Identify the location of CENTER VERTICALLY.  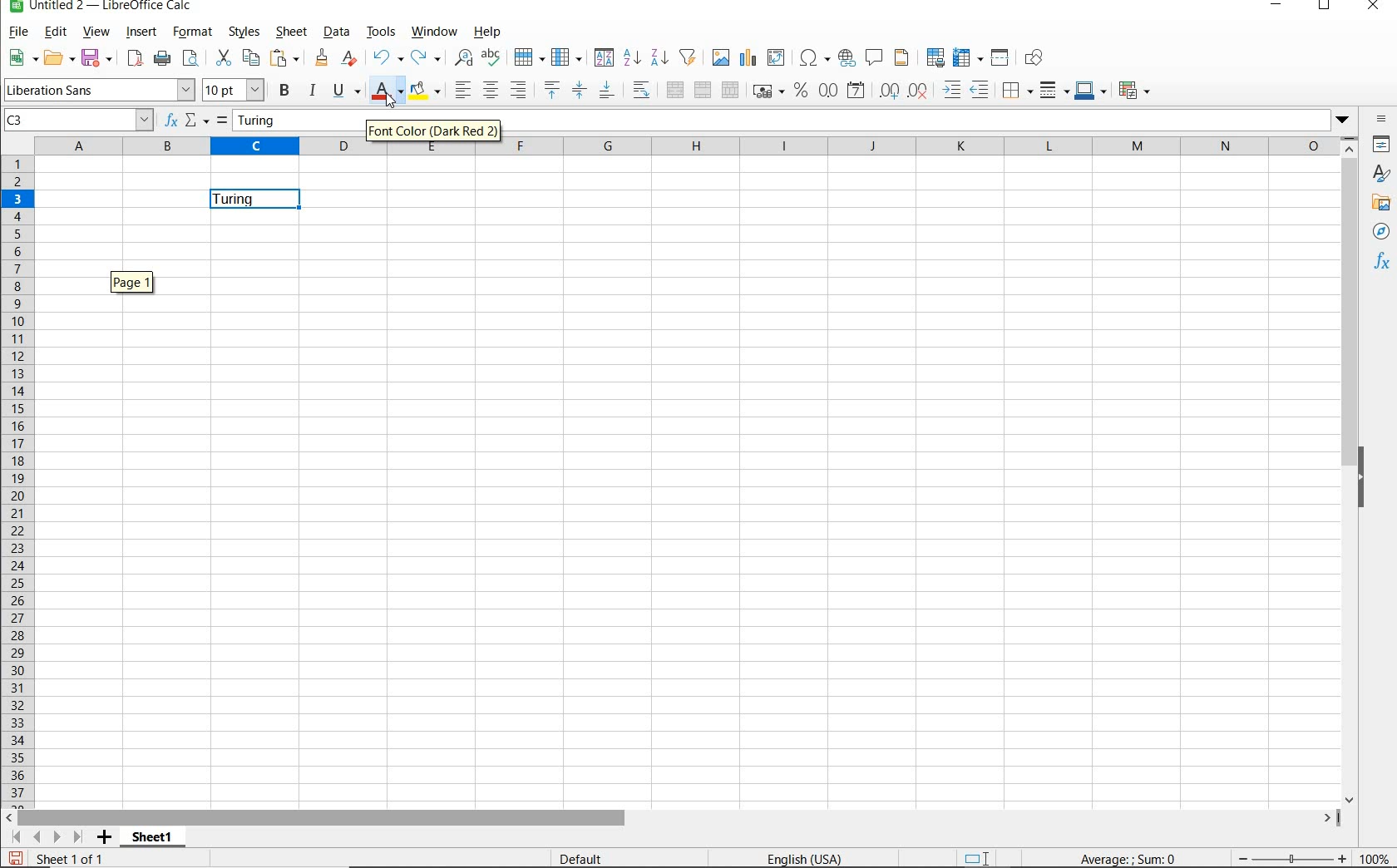
(580, 91).